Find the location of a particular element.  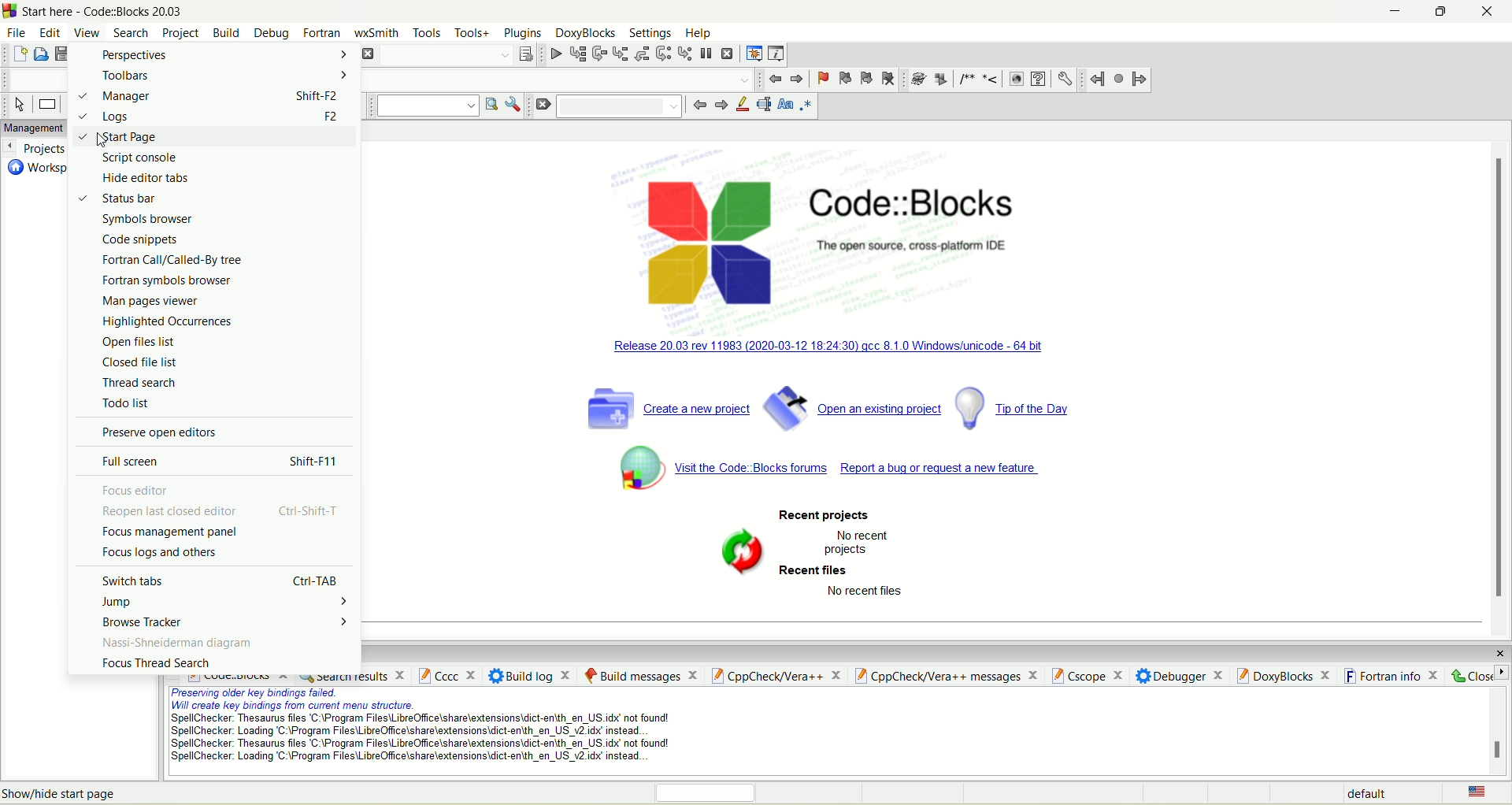

nassi-shneiderman diagram is located at coordinates (176, 644).